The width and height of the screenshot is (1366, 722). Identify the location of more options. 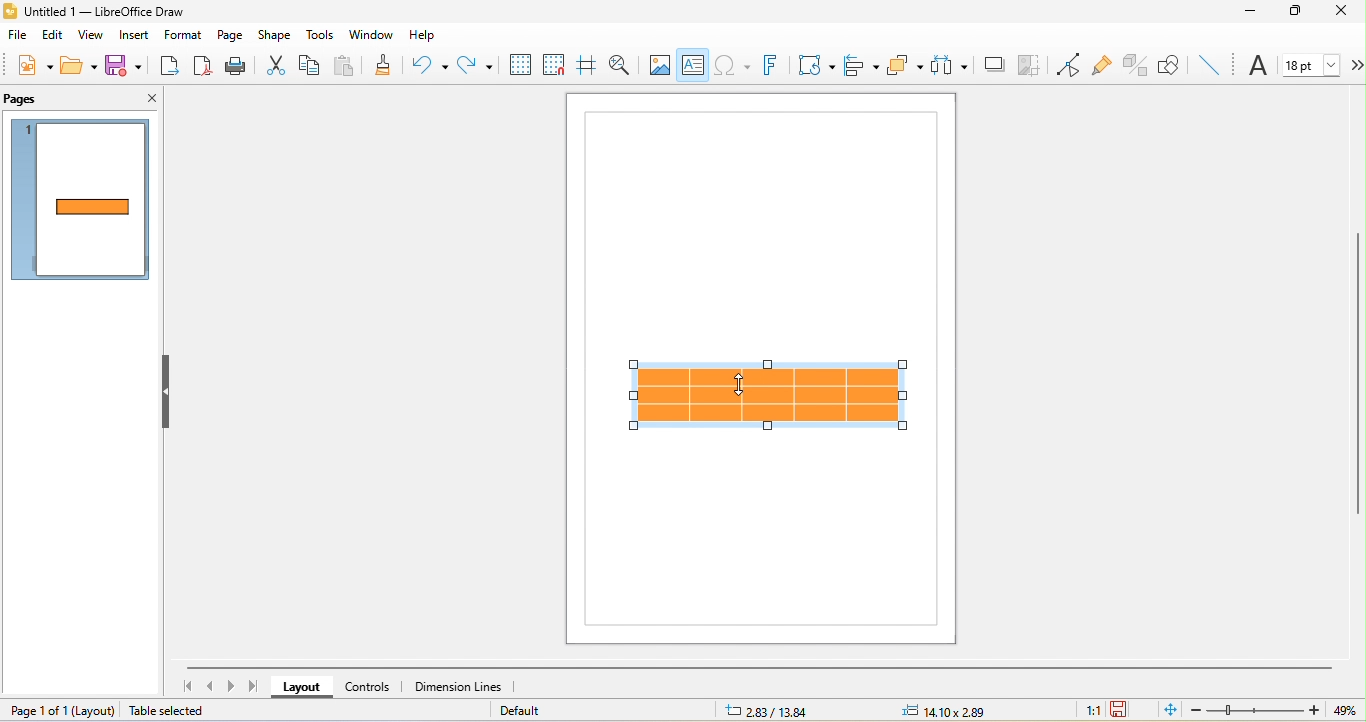
(1357, 67).